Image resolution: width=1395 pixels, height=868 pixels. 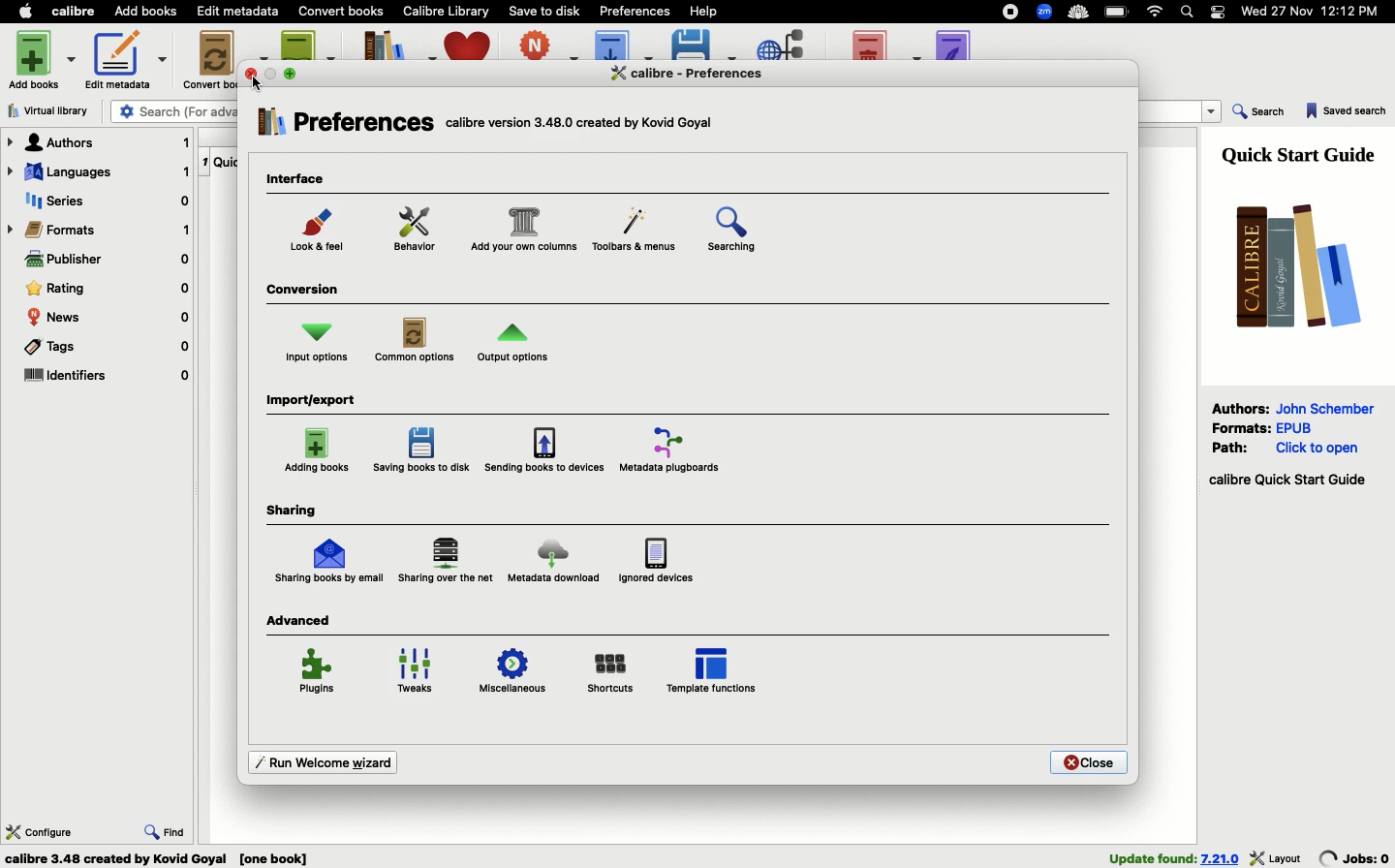 What do you see at coordinates (54, 110) in the screenshot?
I see `Virtual library` at bounding box center [54, 110].